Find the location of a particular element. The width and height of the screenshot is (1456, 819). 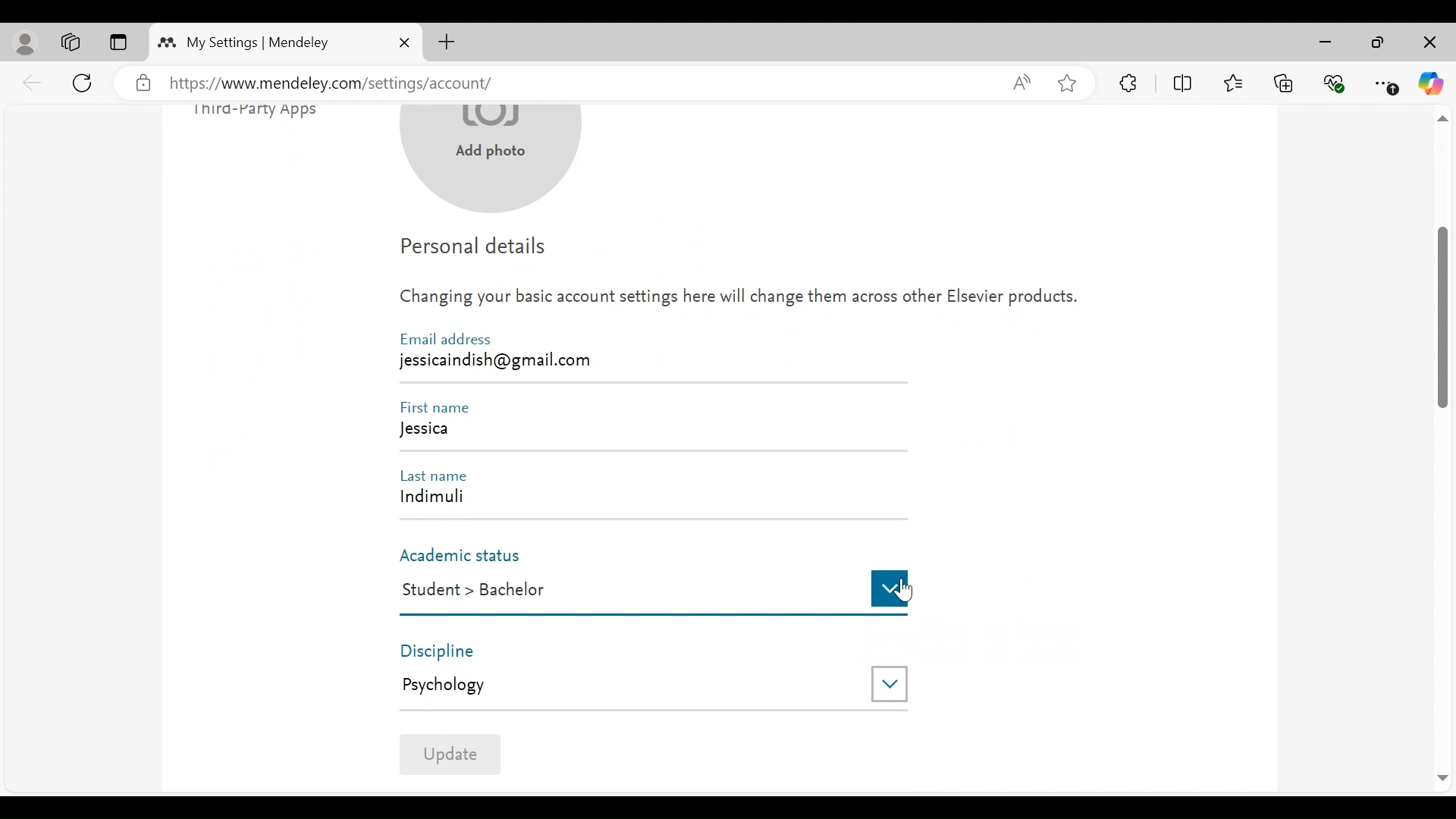

Vertical Scroll bar is located at coordinates (1443, 316).